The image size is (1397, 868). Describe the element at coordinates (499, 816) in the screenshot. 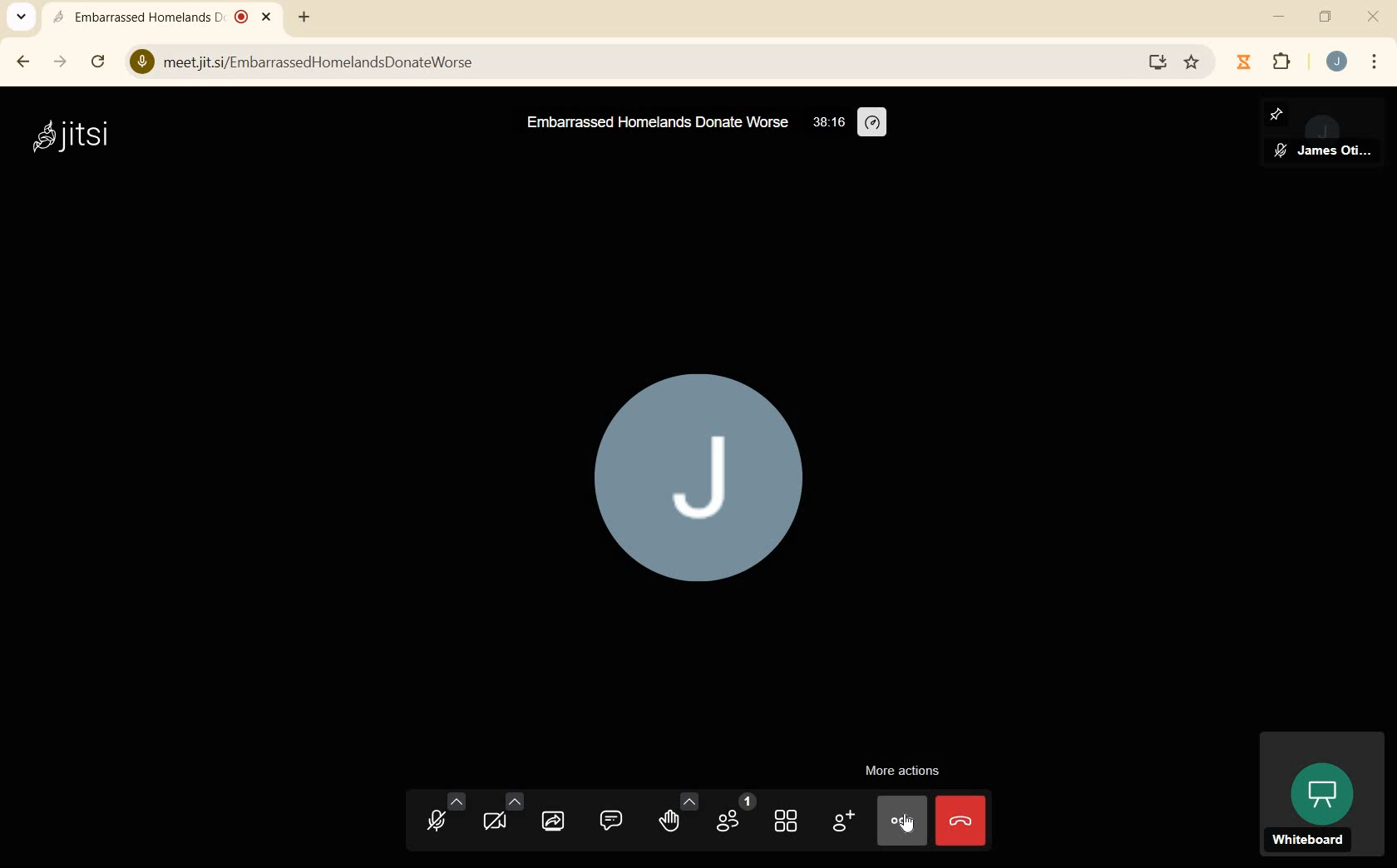

I see `video` at that location.